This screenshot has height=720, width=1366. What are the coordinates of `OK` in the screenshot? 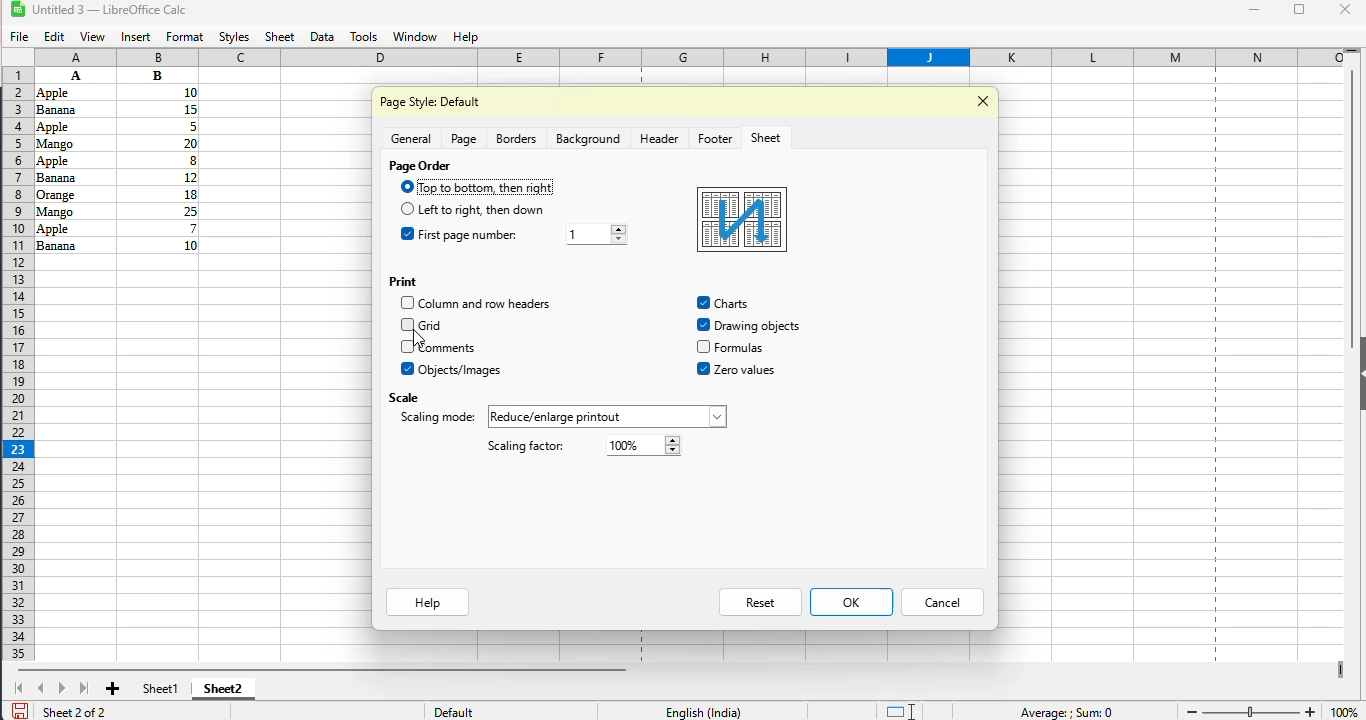 It's located at (851, 602).